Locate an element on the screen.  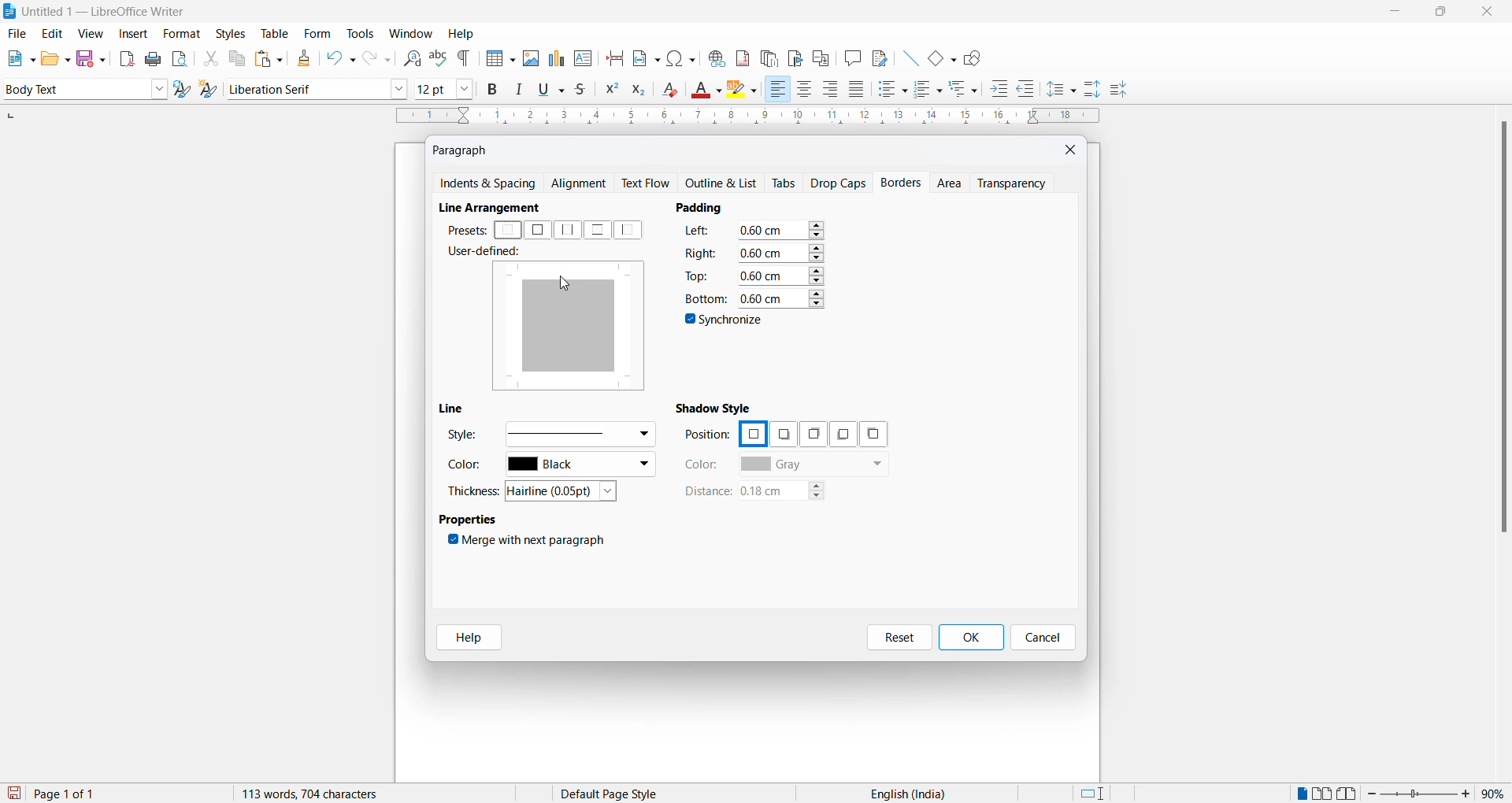
zoom percentage is located at coordinates (1496, 792).